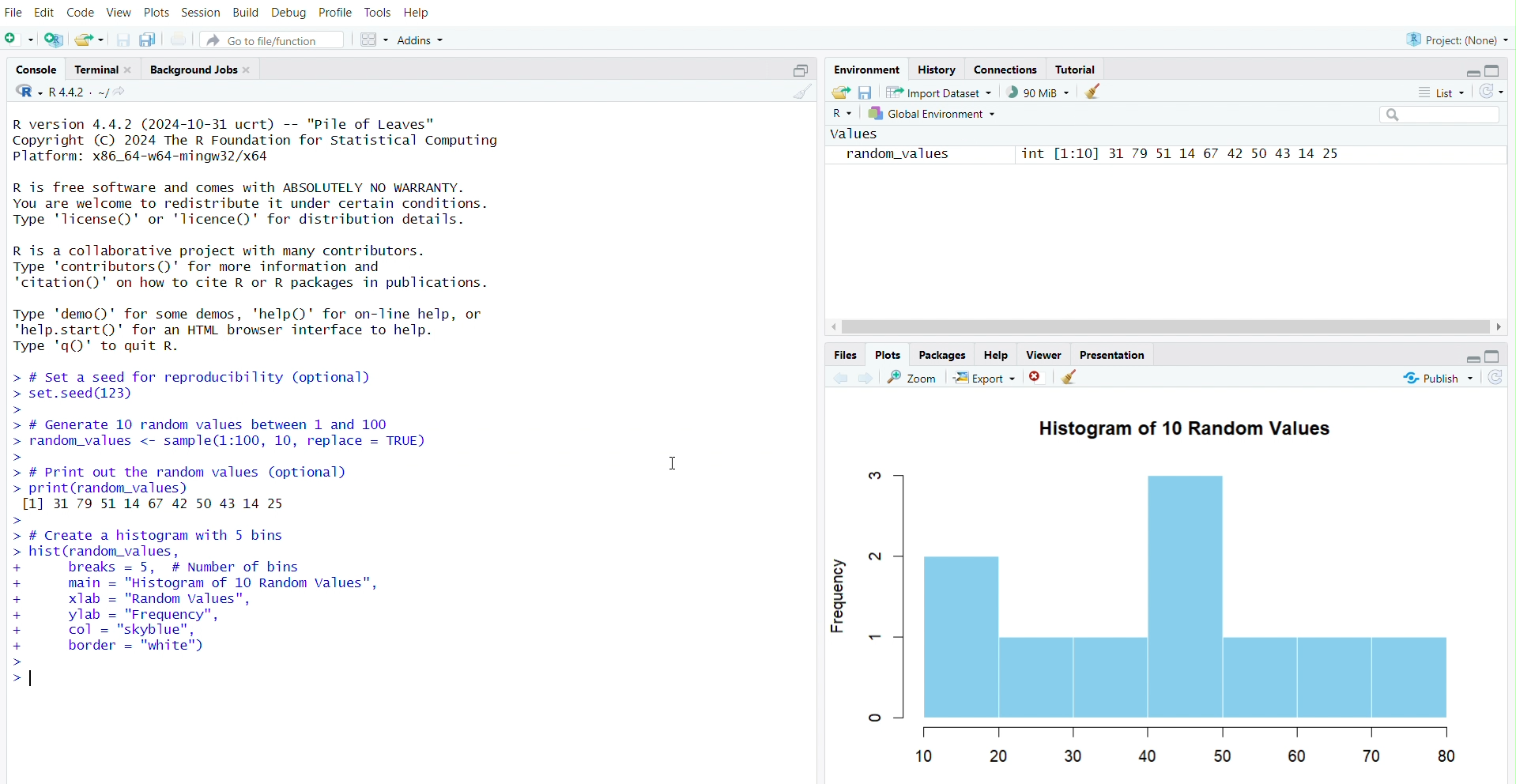  What do you see at coordinates (36, 677) in the screenshot?
I see `typing cursor` at bounding box center [36, 677].